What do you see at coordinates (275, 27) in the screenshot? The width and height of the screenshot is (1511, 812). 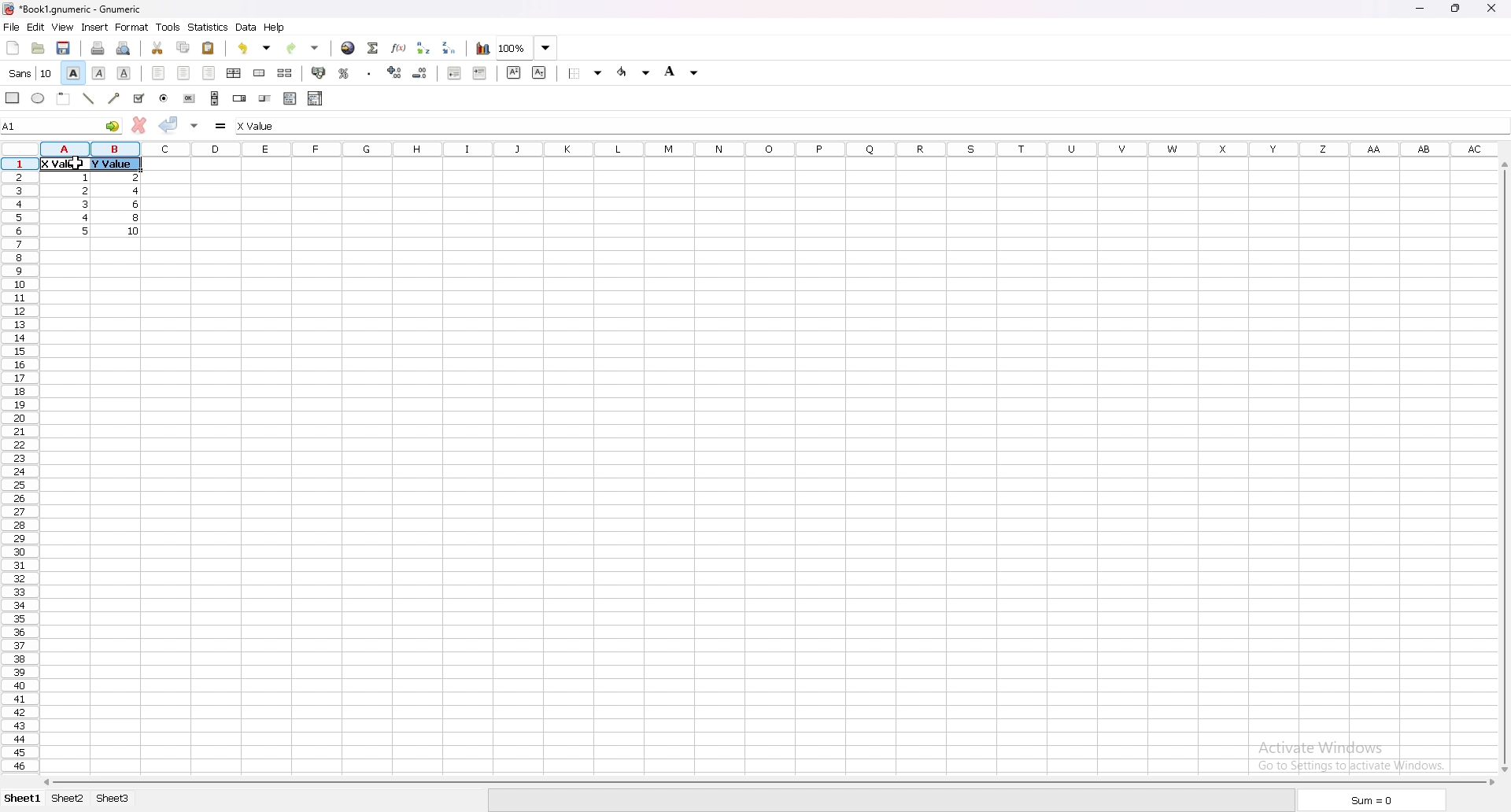 I see `help` at bounding box center [275, 27].